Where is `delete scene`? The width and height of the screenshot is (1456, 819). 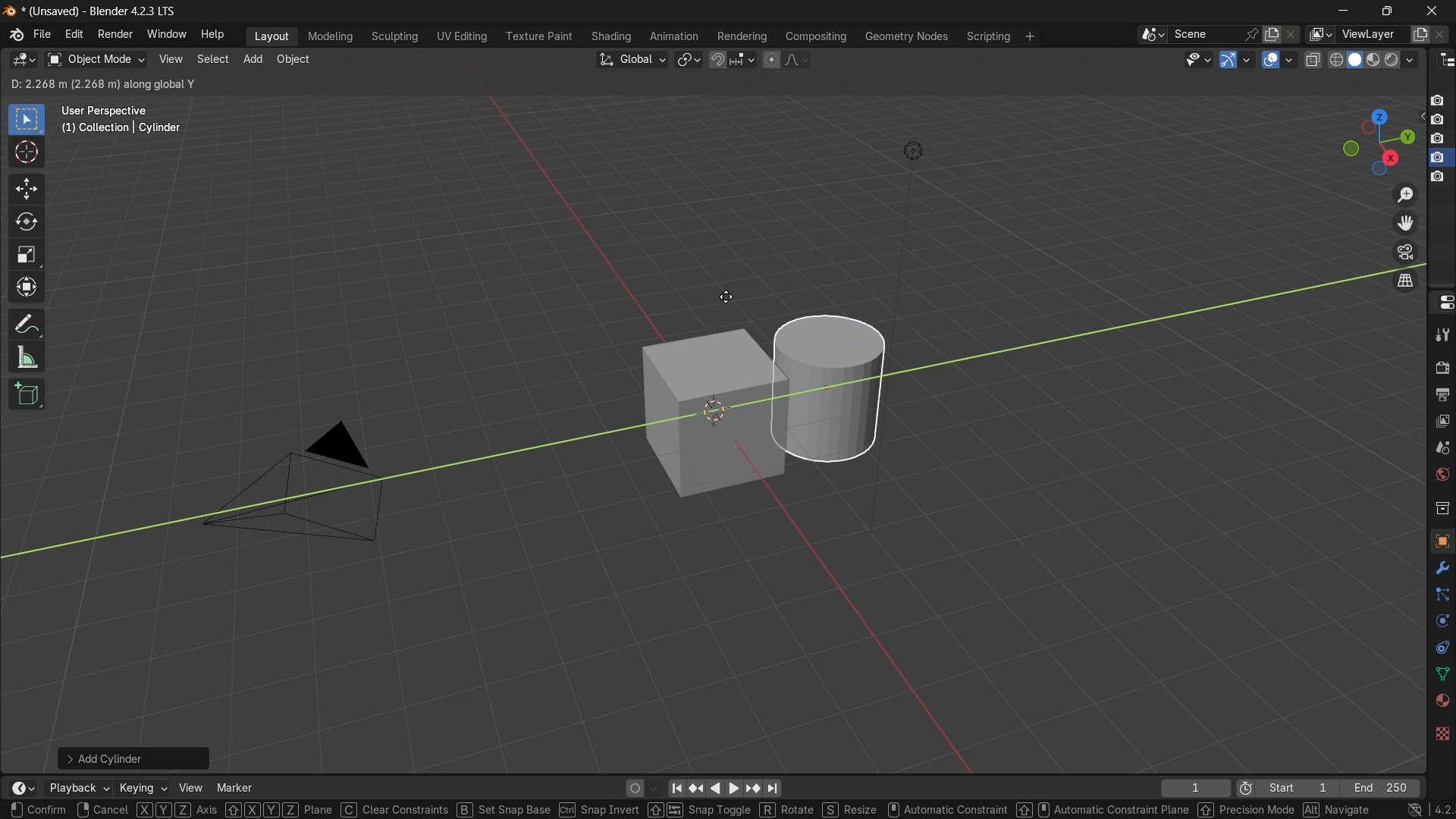 delete scene is located at coordinates (1291, 35).